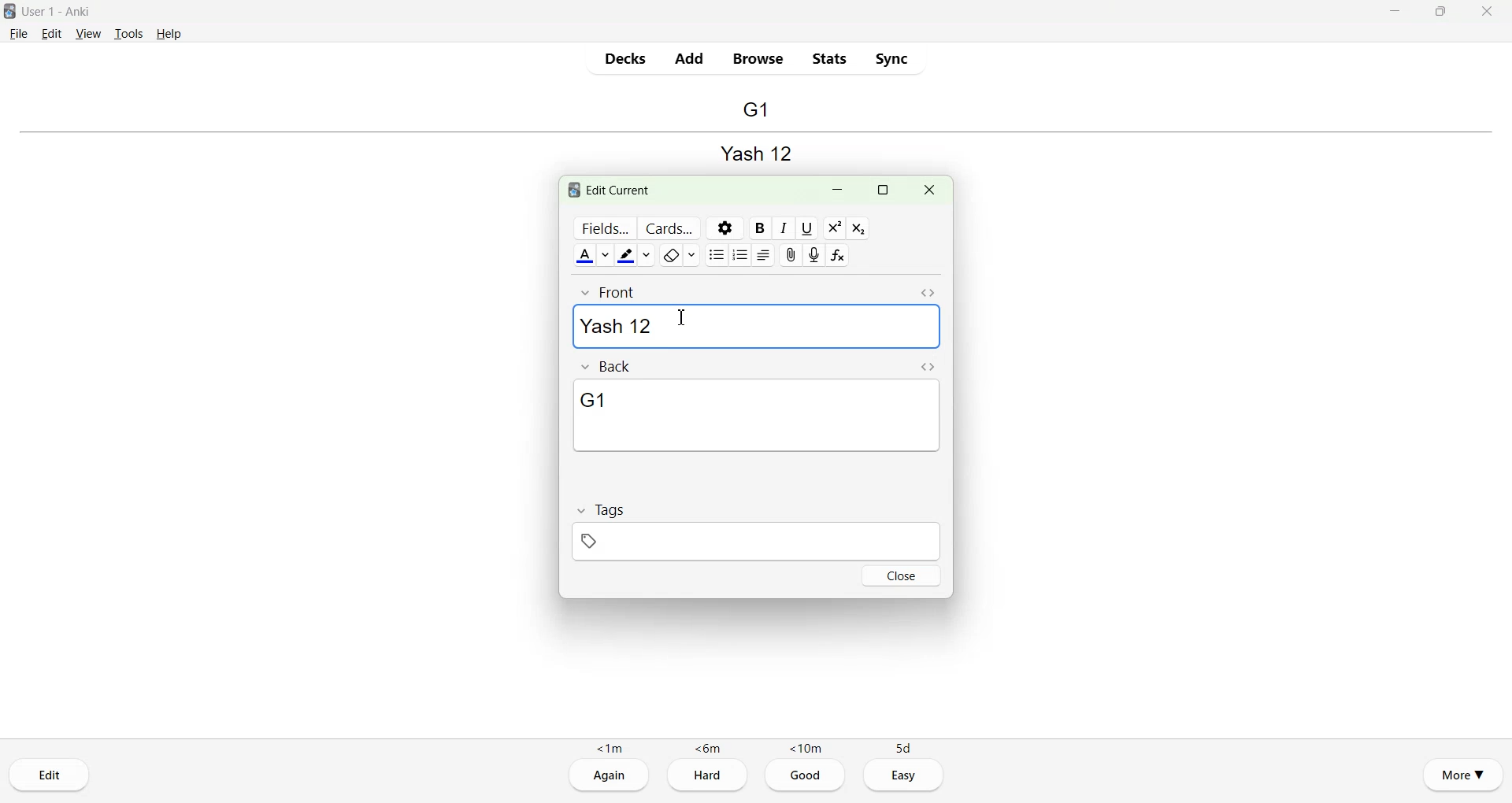 This screenshot has width=1512, height=803. What do you see at coordinates (739, 254) in the screenshot?
I see `Ordered list` at bounding box center [739, 254].